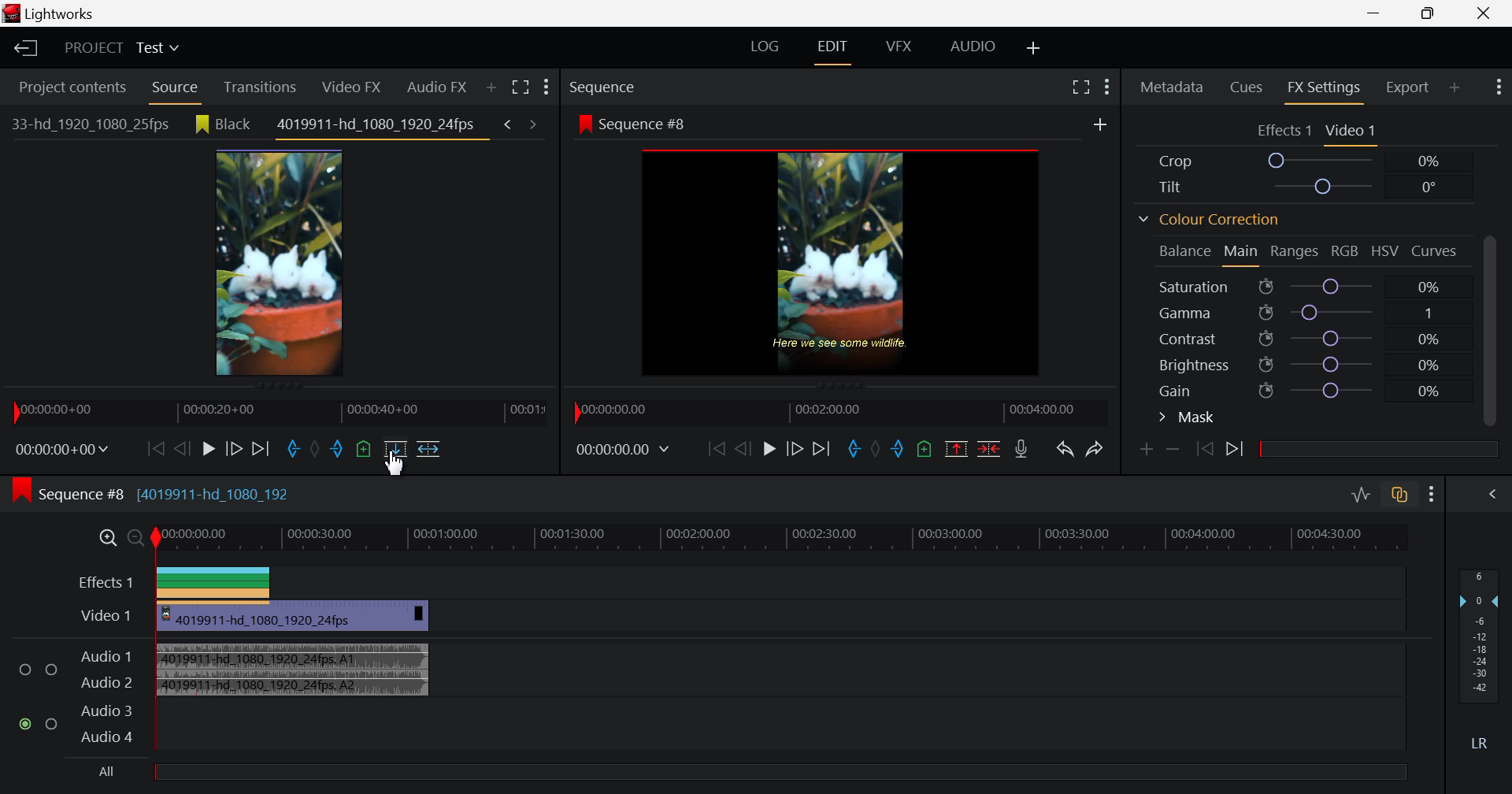 Image resolution: width=1512 pixels, height=794 pixels. I want to click on Show Settings, so click(1496, 87).